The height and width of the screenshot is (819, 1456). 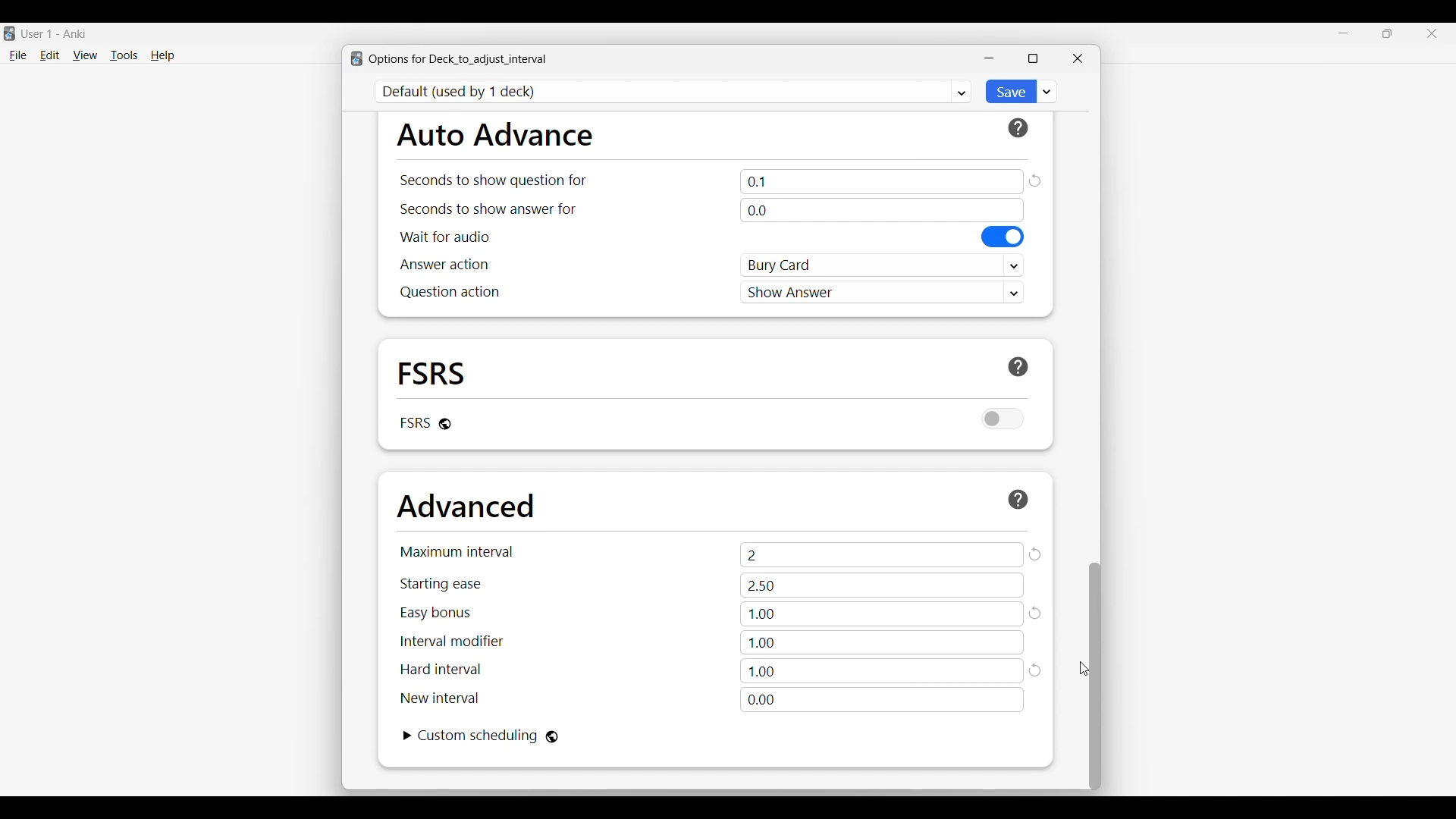 I want to click on 0.1, so click(x=882, y=181).